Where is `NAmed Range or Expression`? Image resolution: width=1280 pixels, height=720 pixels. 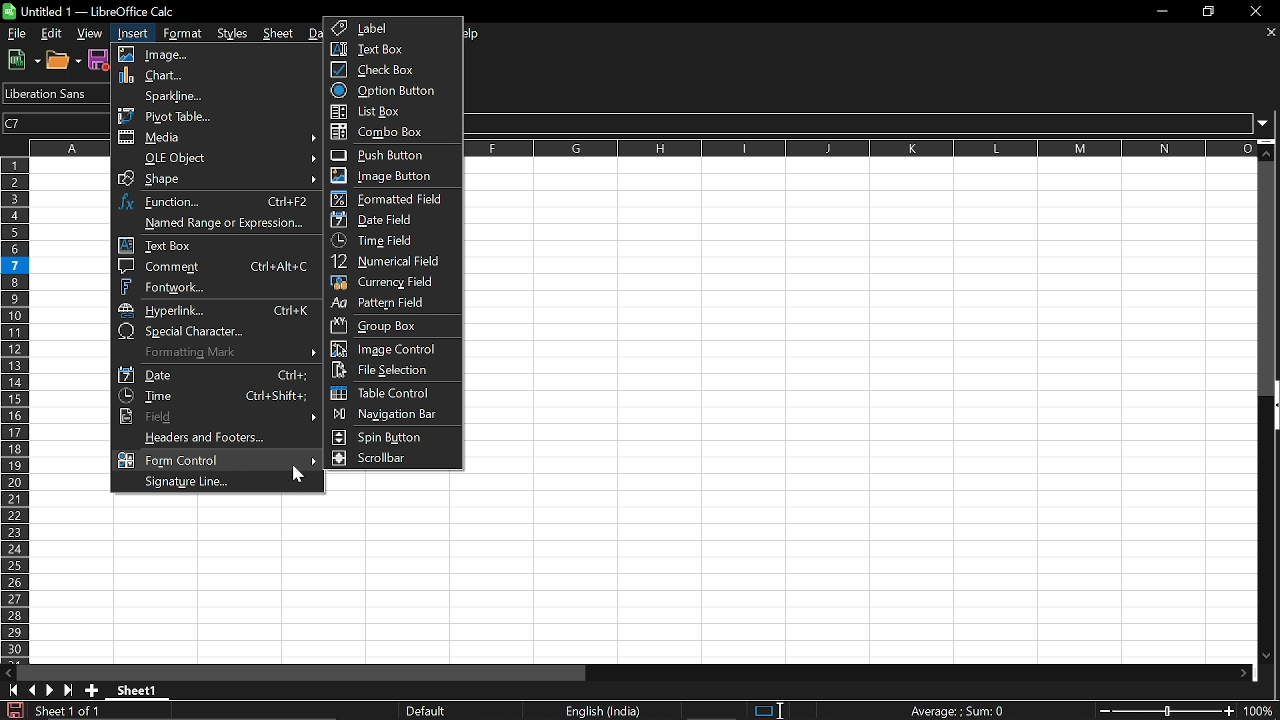 NAmed Range or Expression is located at coordinates (213, 223).